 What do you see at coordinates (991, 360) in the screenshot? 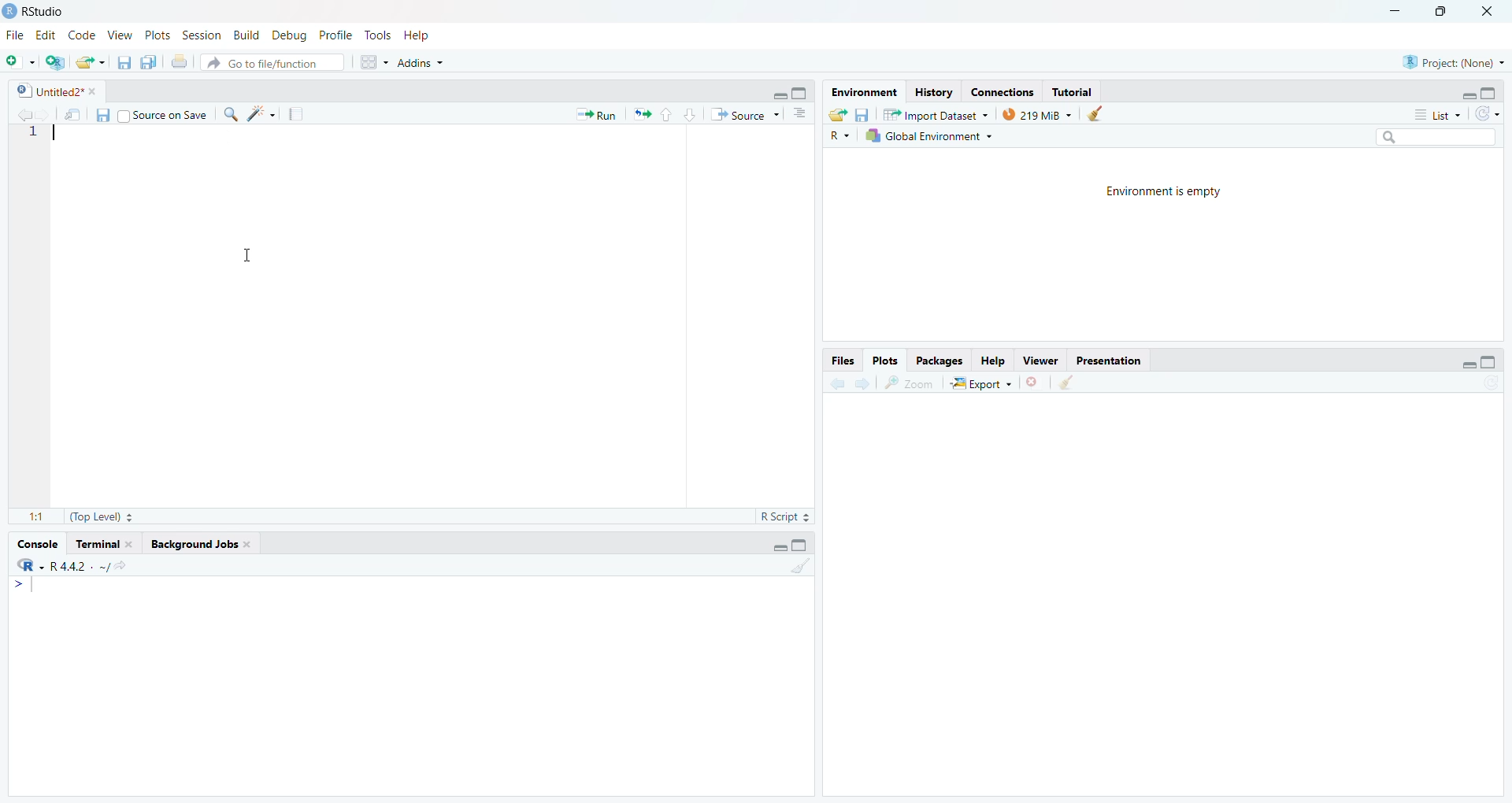
I see `Help.` at bounding box center [991, 360].